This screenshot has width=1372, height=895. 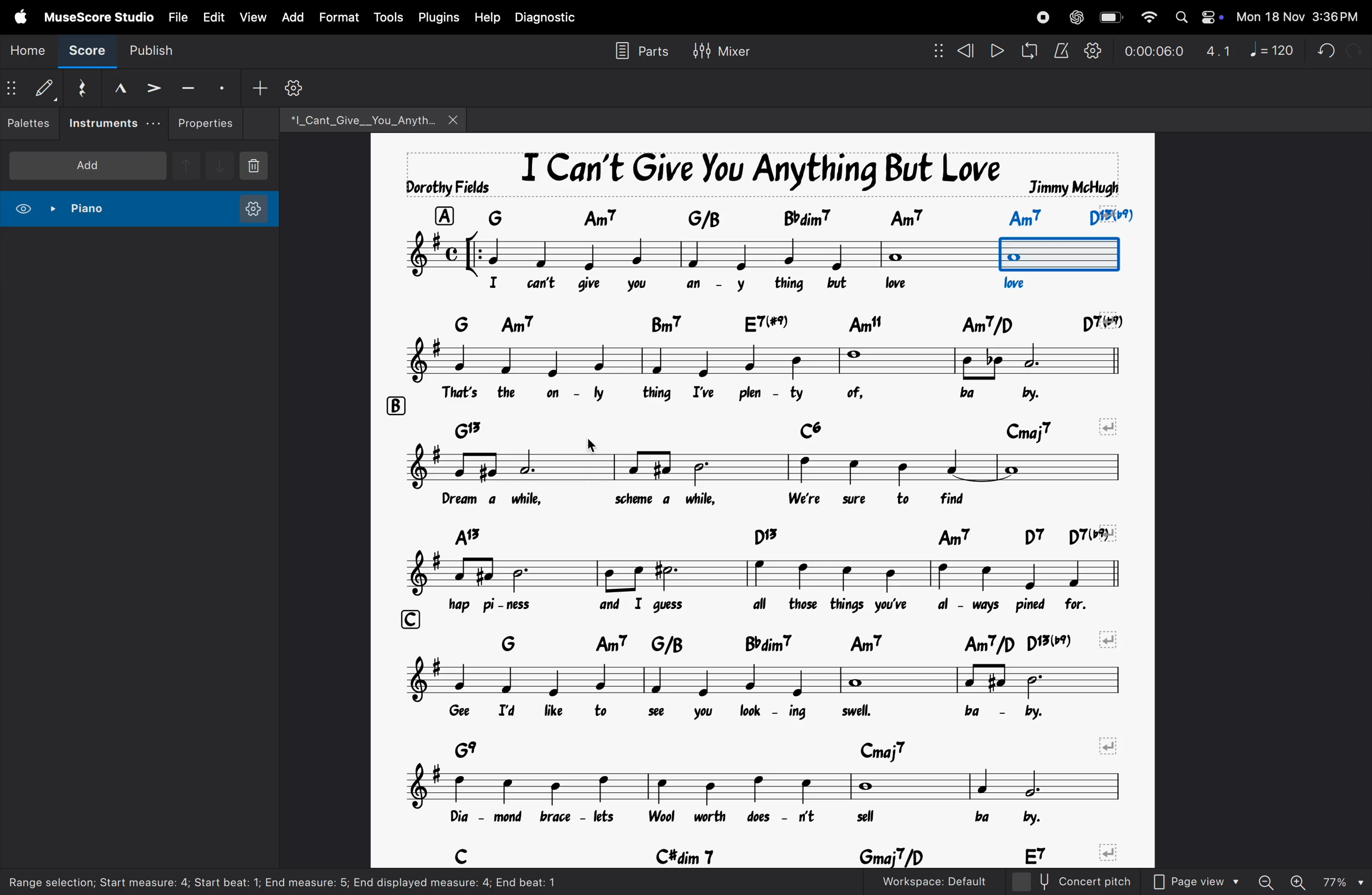 What do you see at coordinates (293, 18) in the screenshot?
I see `add` at bounding box center [293, 18].